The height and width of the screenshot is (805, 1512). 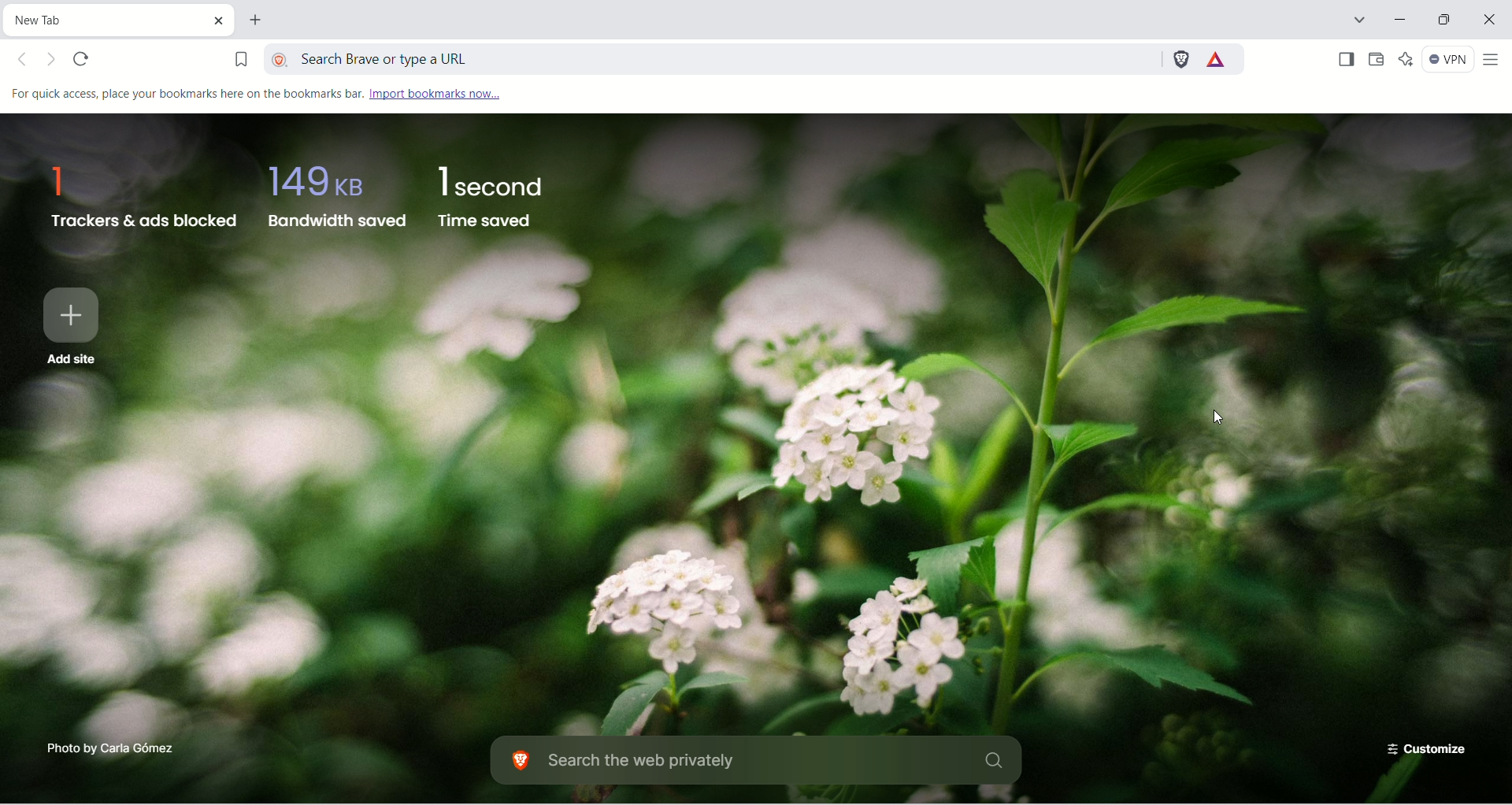 I want to click on customize, so click(x=1425, y=749).